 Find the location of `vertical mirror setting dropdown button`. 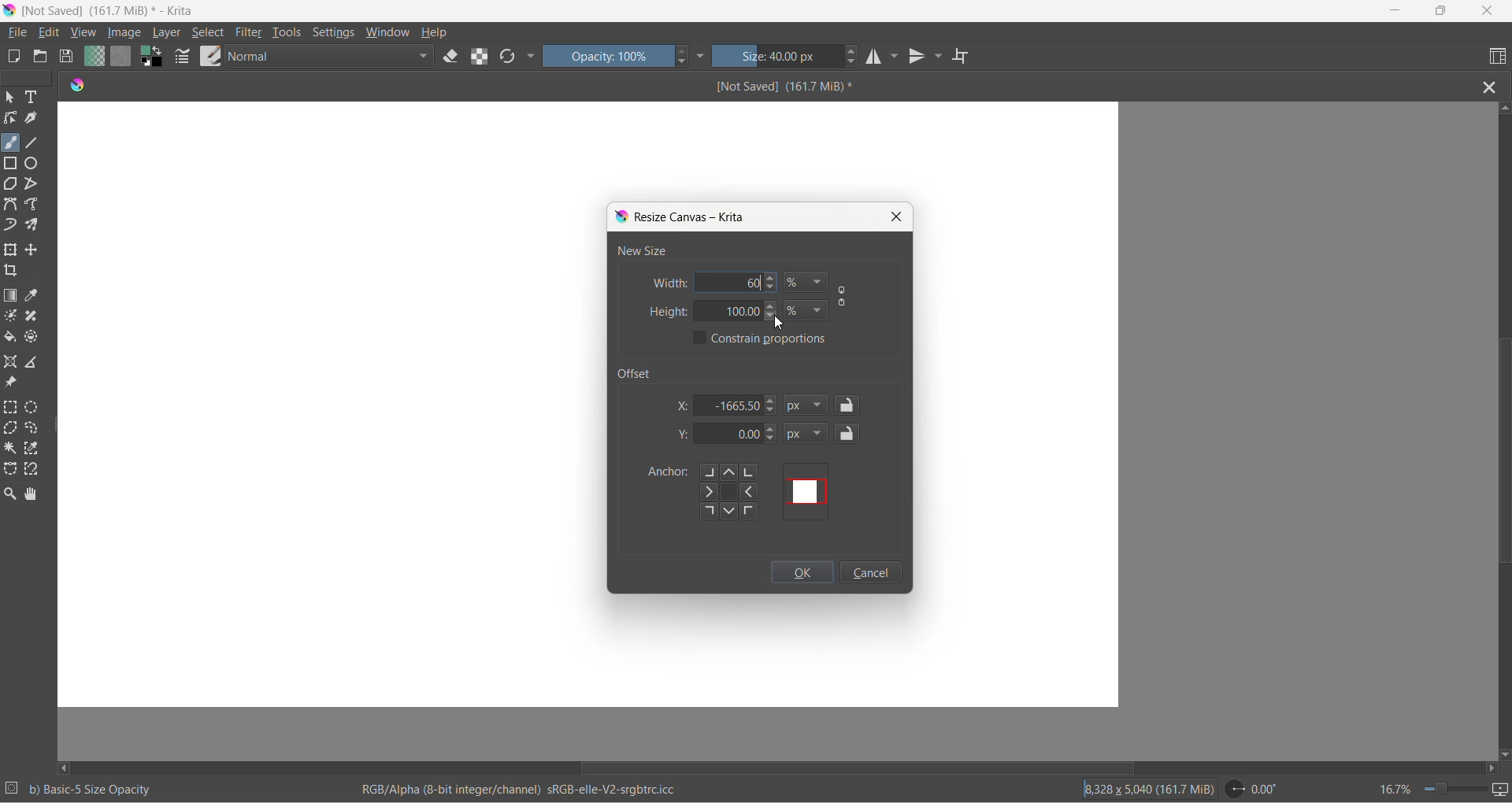

vertical mirror setting dropdown button is located at coordinates (939, 58).